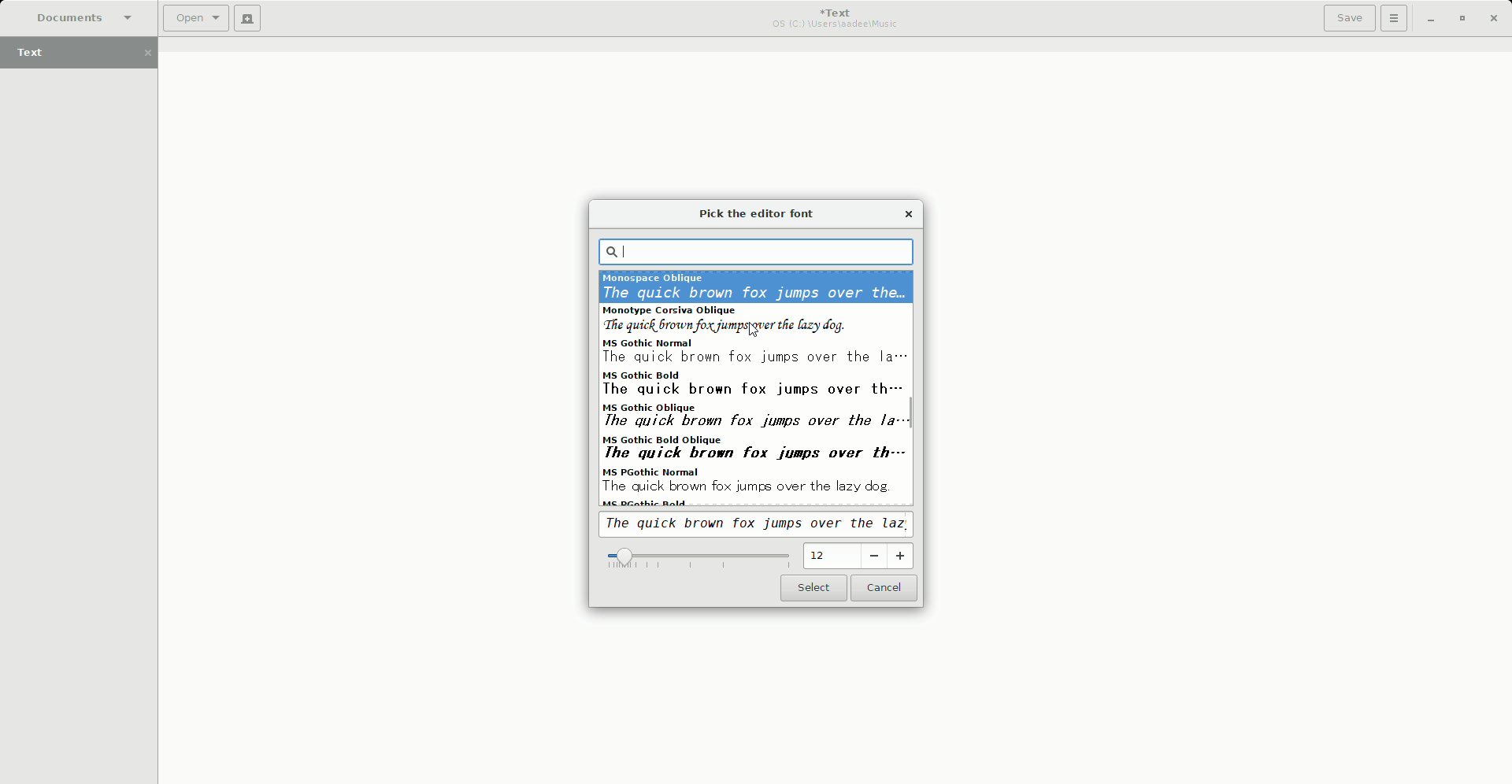 This screenshot has height=784, width=1512. I want to click on 12, so click(860, 556).